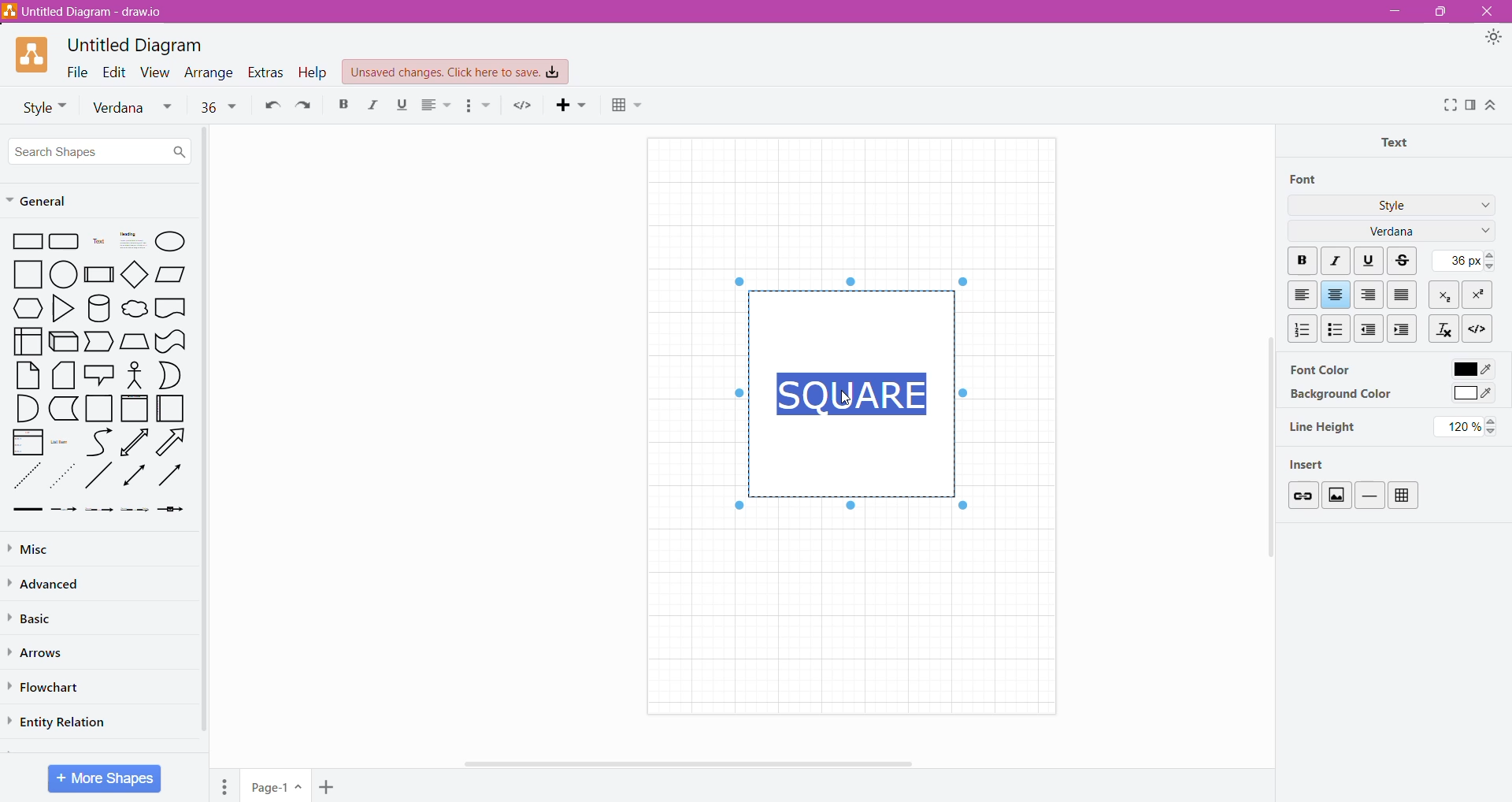 Image resolution: width=1512 pixels, height=802 pixels. What do you see at coordinates (1302, 495) in the screenshot?
I see `Link` at bounding box center [1302, 495].